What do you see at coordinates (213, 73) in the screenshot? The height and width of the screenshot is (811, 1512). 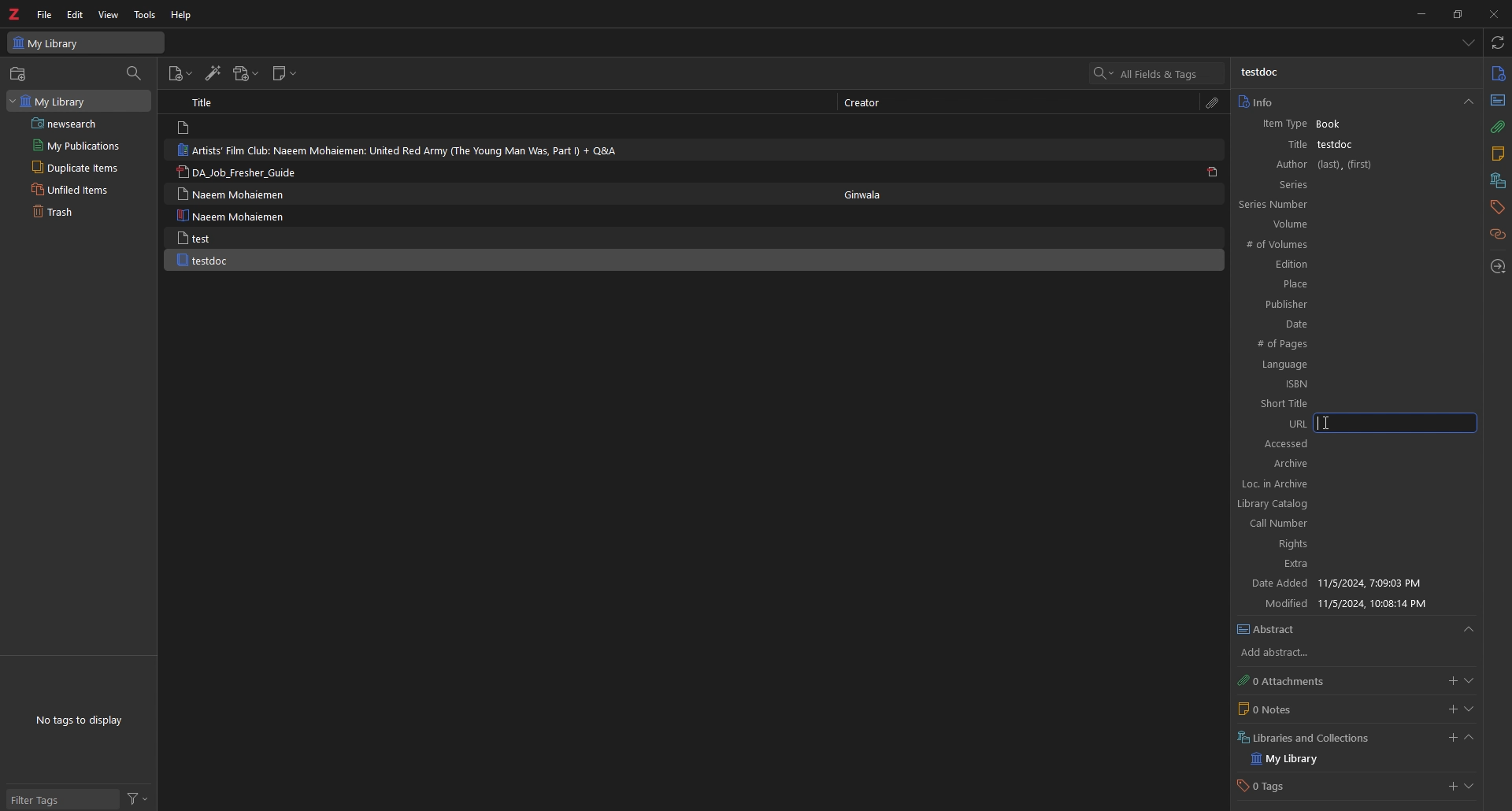 I see `add items by identifier` at bounding box center [213, 73].